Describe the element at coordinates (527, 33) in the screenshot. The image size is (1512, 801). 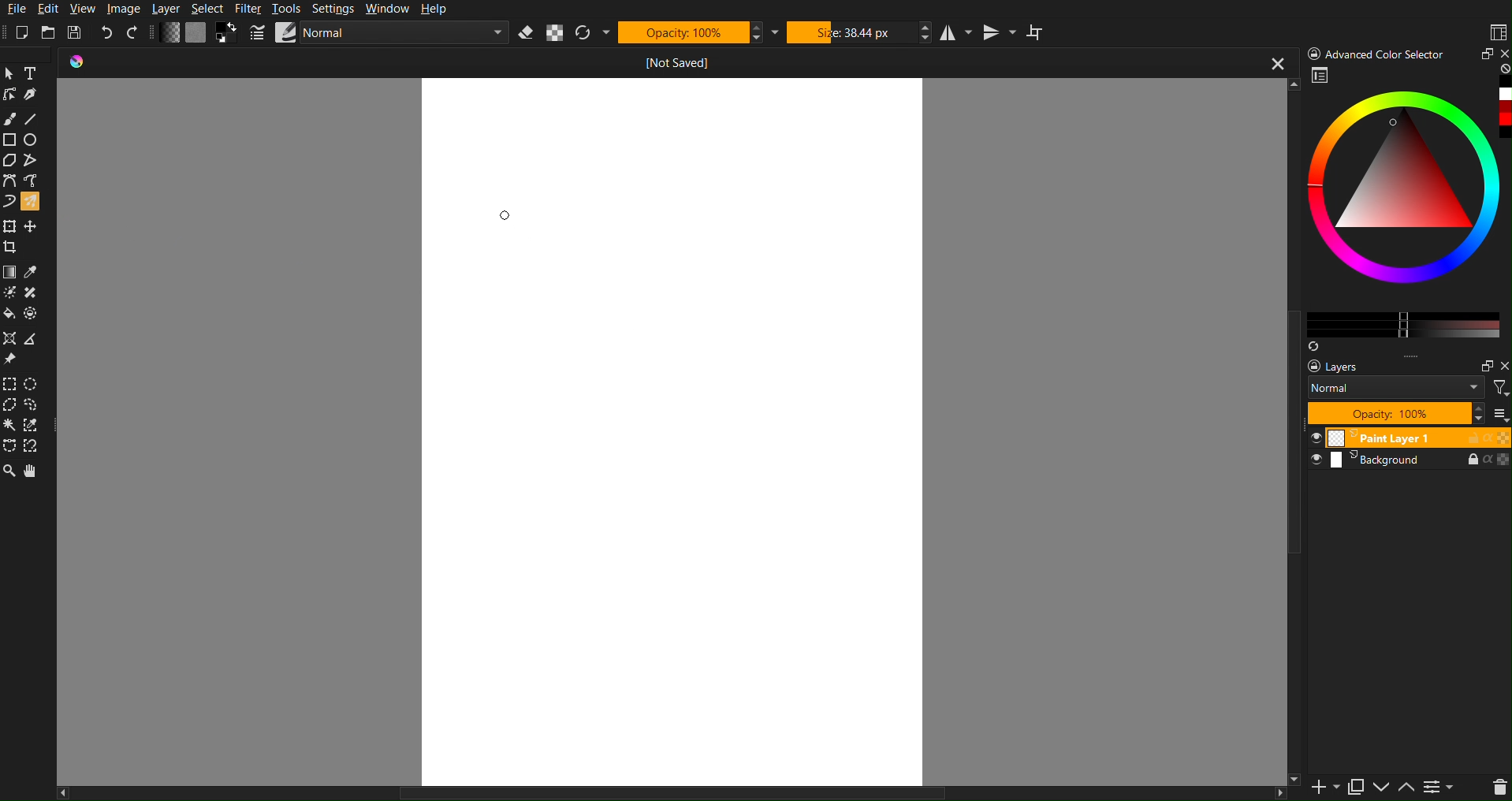
I see `Erase` at that location.